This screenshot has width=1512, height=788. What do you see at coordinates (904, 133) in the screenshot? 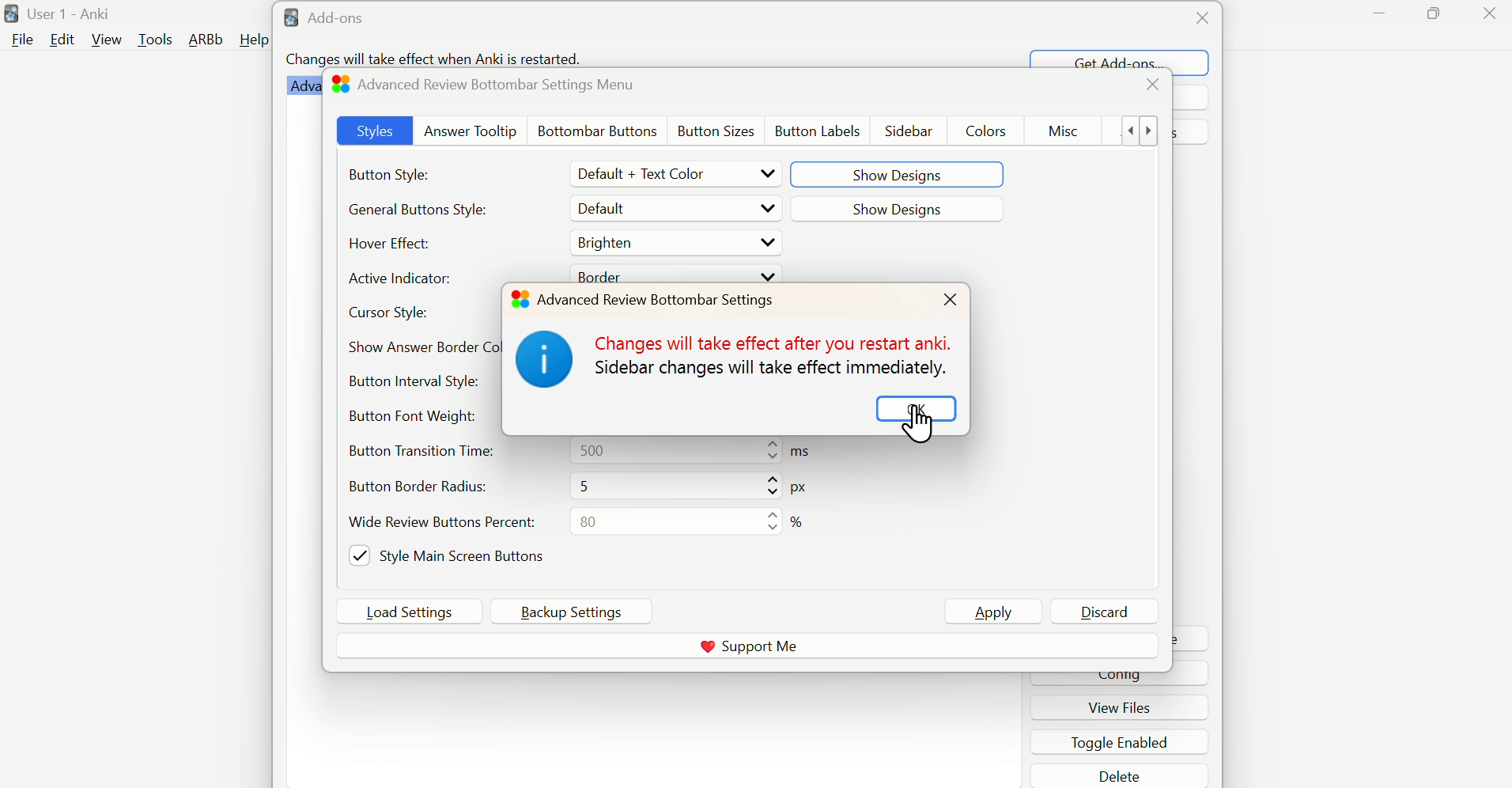
I see `Sidebar` at bounding box center [904, 133].